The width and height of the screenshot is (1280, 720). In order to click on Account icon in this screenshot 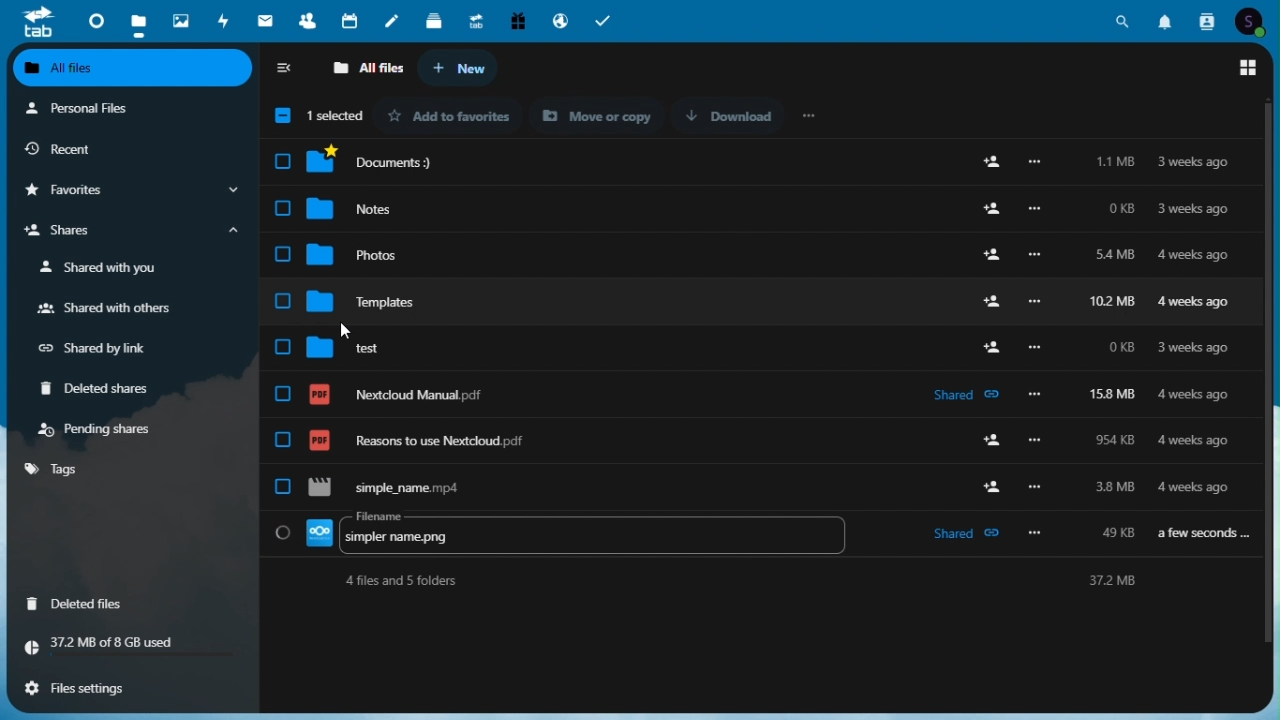, I will do `click(1255, 19)`.